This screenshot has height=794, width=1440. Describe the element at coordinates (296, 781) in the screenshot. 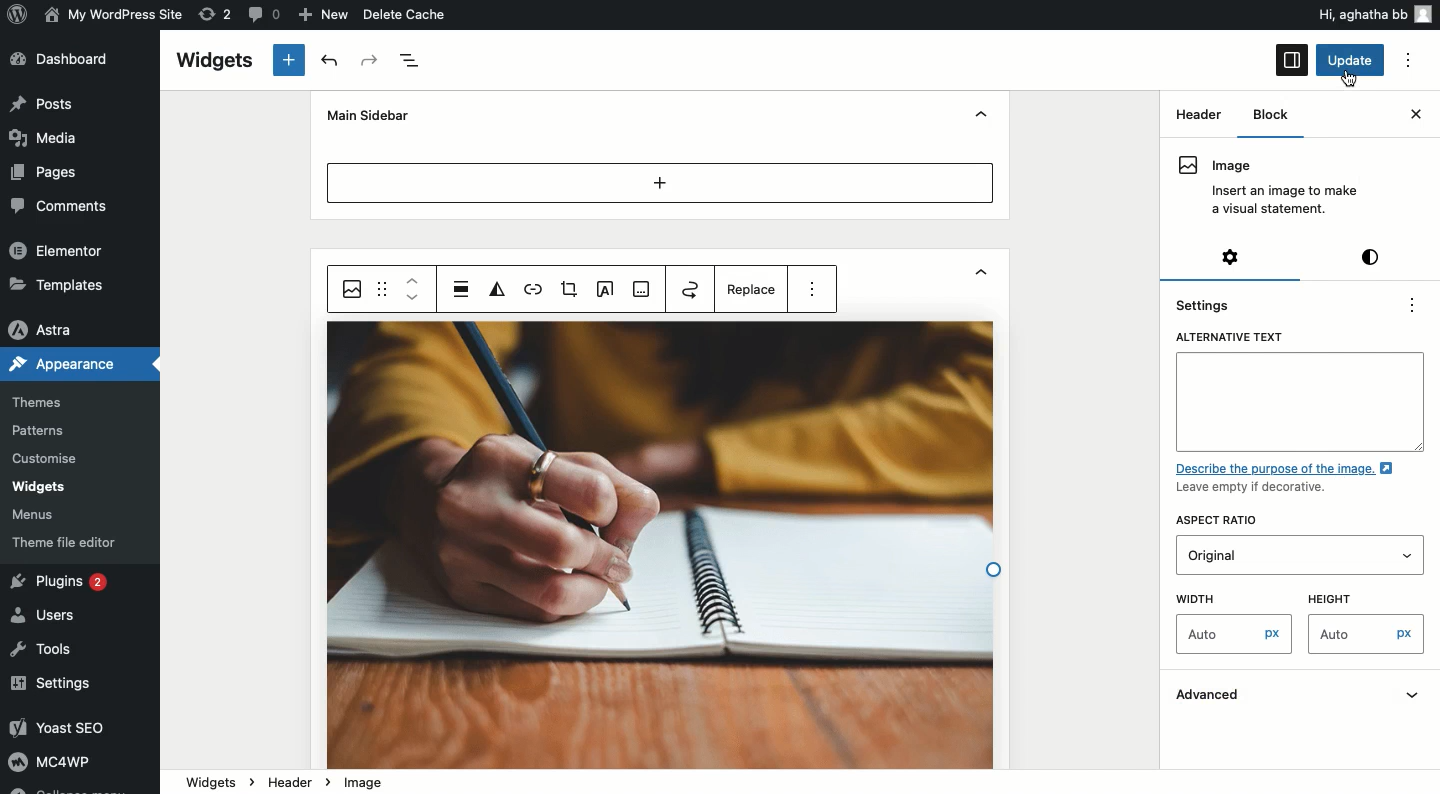

I see `Header` at that location.